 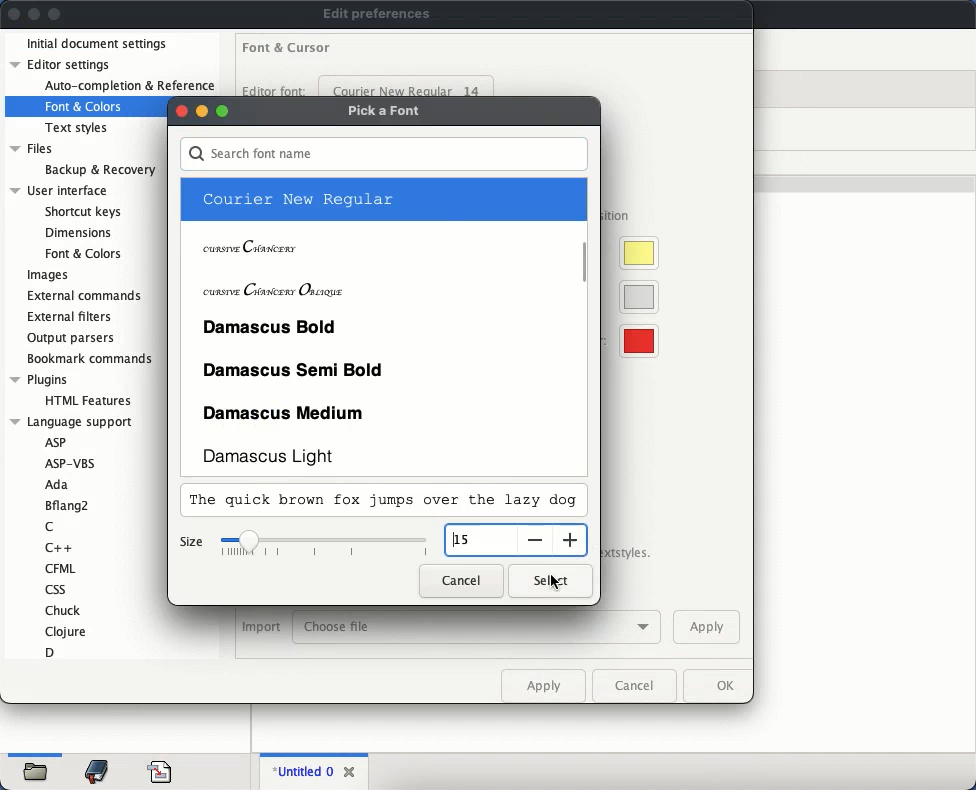 I want to click on ASP-VBS, so click(x=77, y=463).